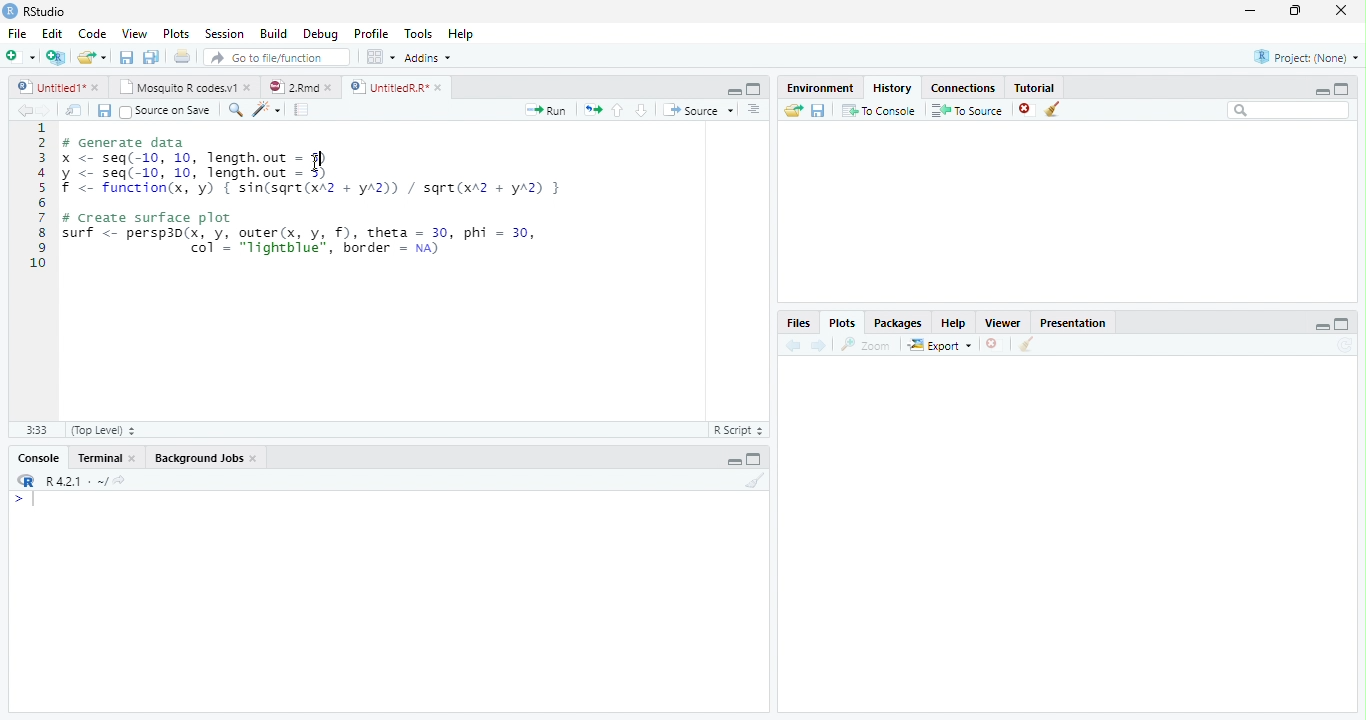 The height and width of the screenshot is (720, 1366). Describe the element at coordinates (273, 33) in the screenshot. I see `Build` at that location.